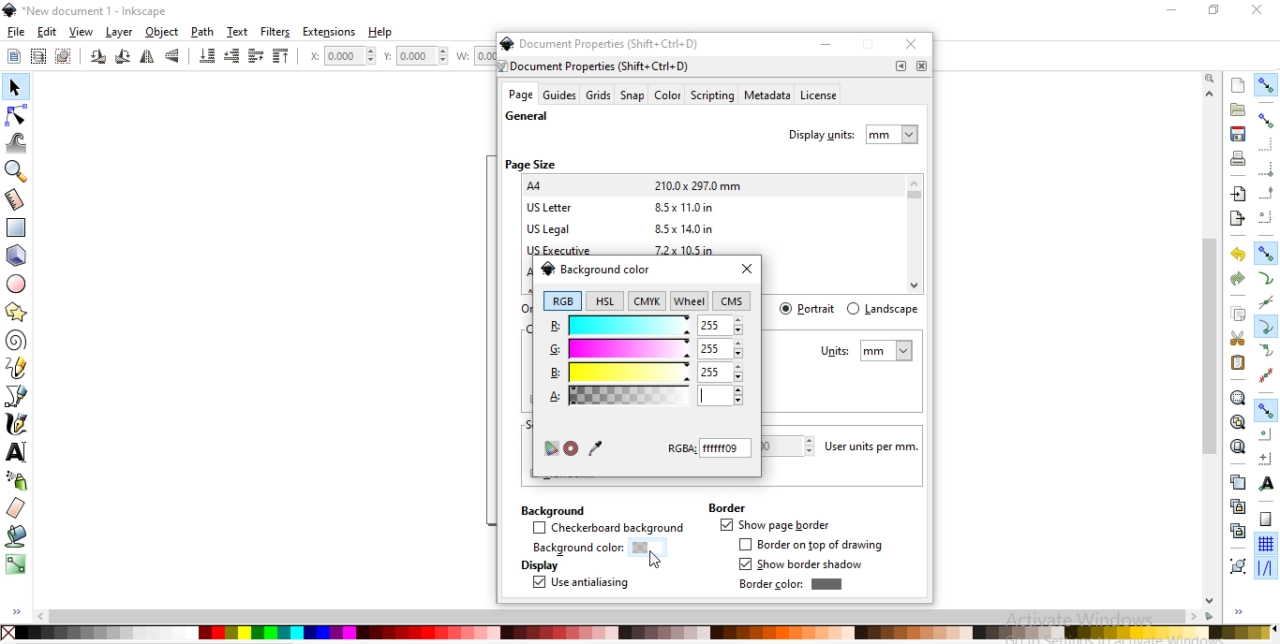 This screenshot has width=1280, height=644. Describe the element at coordinates (711, 96) in the screenshot. I see `scripting` at that location.